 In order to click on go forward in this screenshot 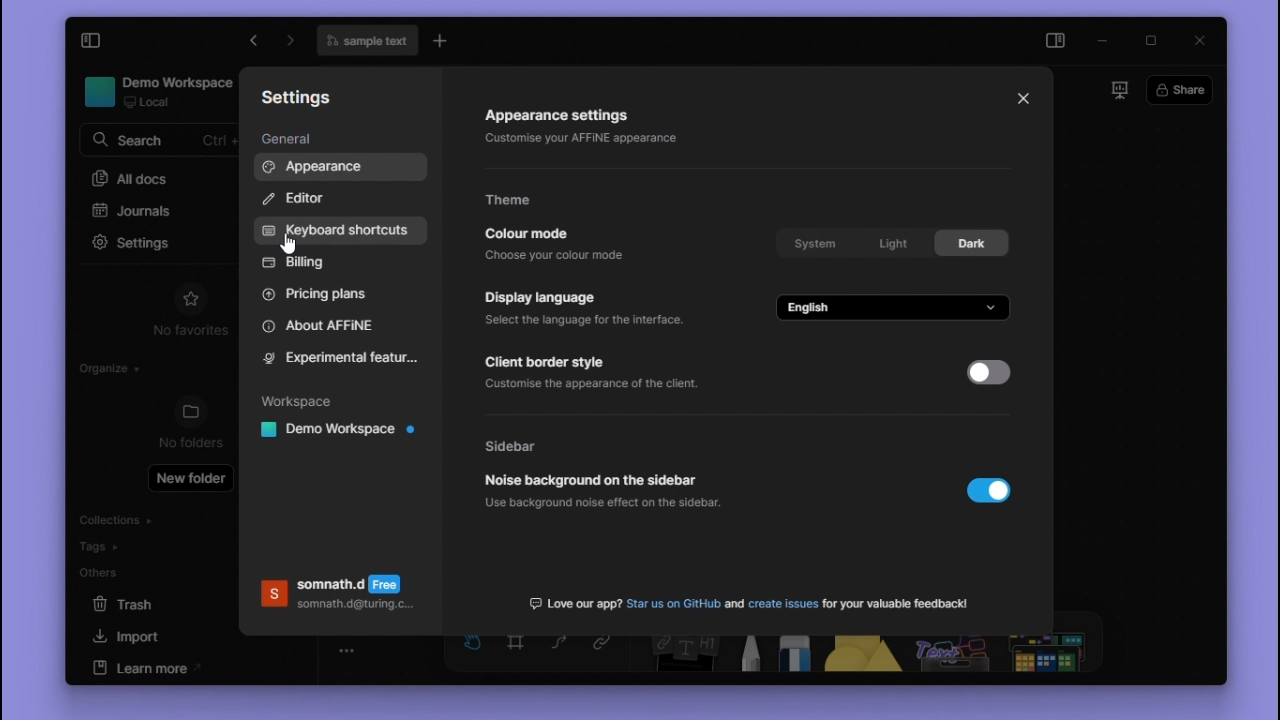, I will do `click(250, 41)`.